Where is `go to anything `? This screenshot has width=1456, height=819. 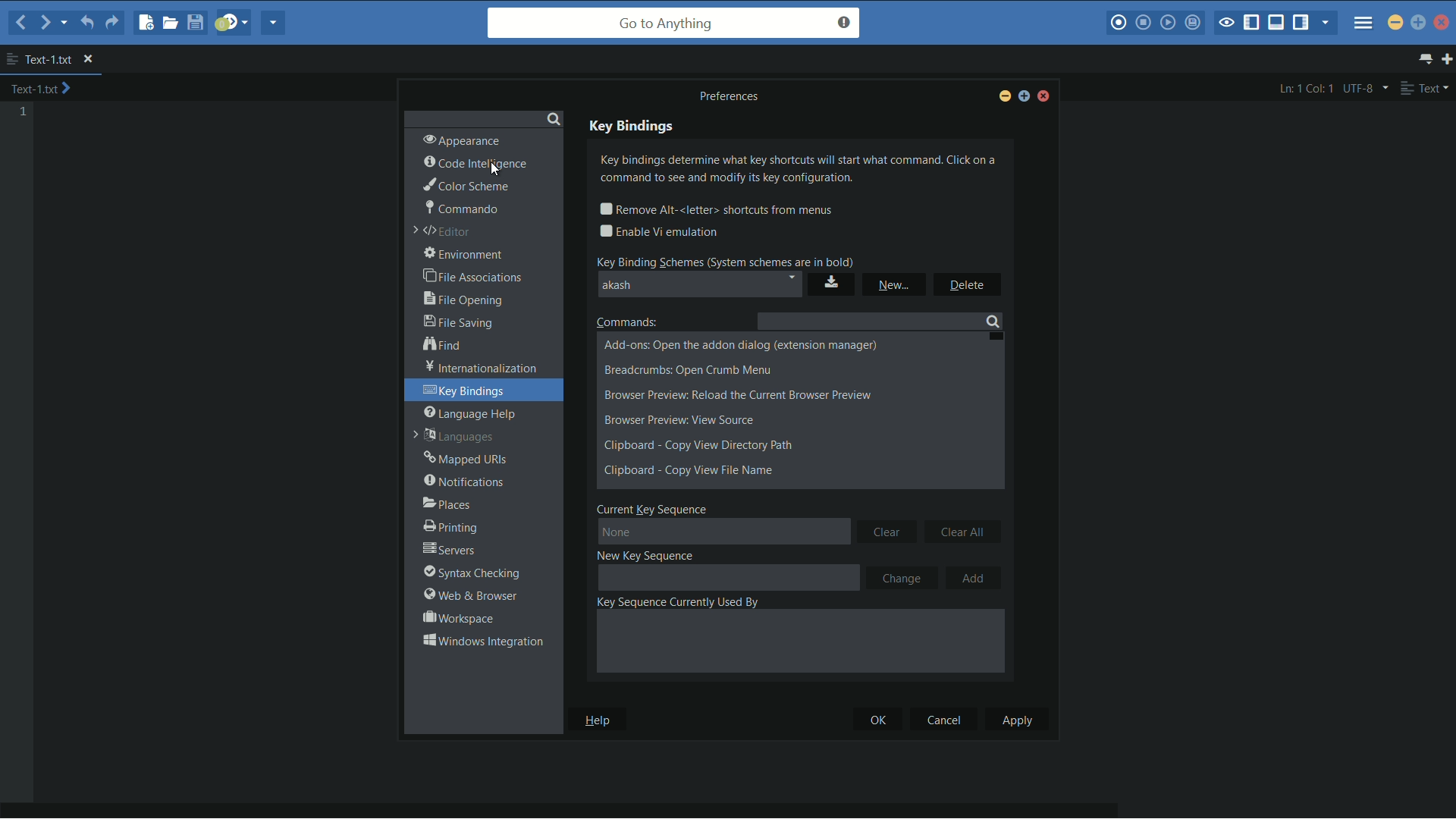
go to anything  is located at coordinates (674, 23).